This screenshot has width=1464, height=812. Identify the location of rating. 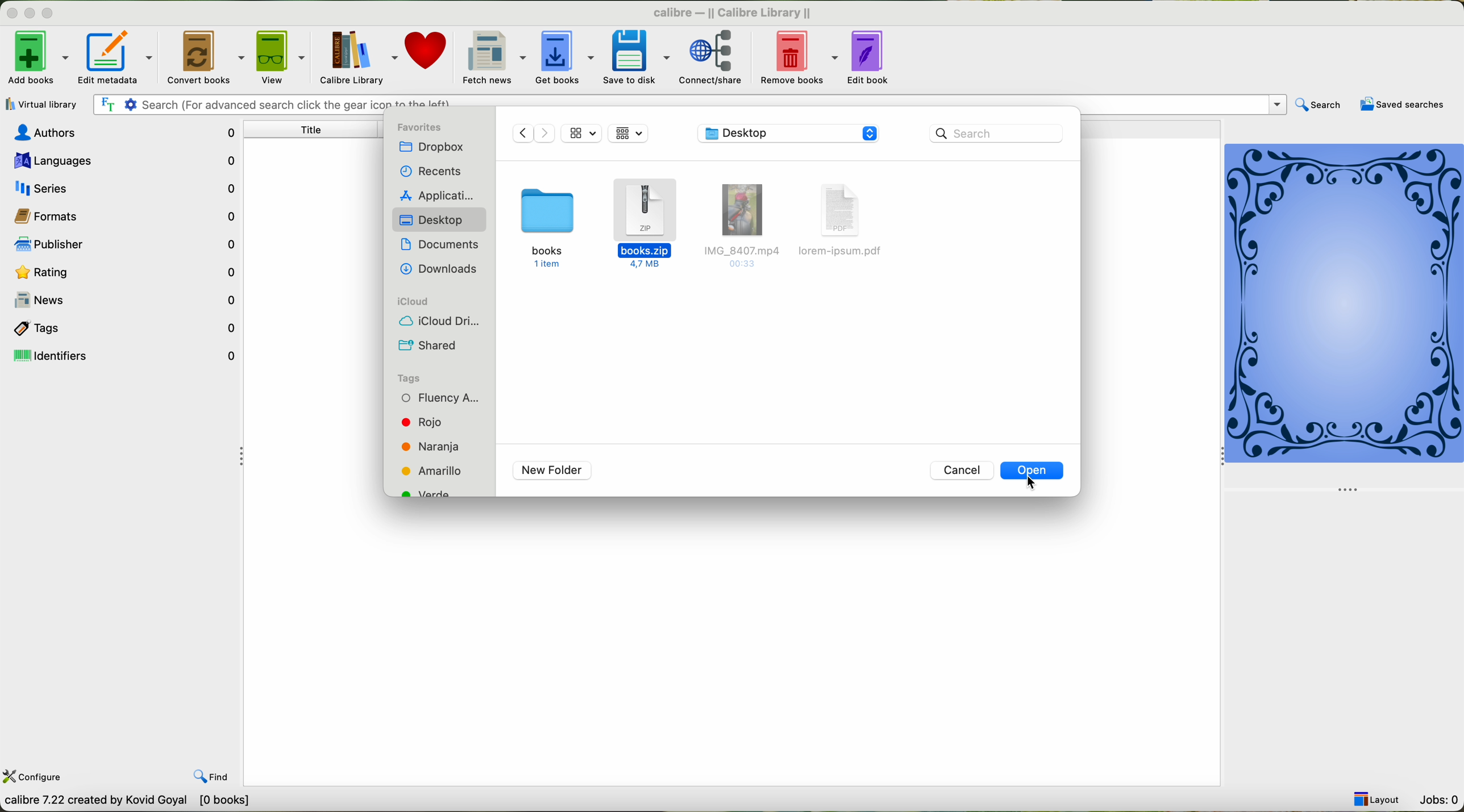
(123, 270).